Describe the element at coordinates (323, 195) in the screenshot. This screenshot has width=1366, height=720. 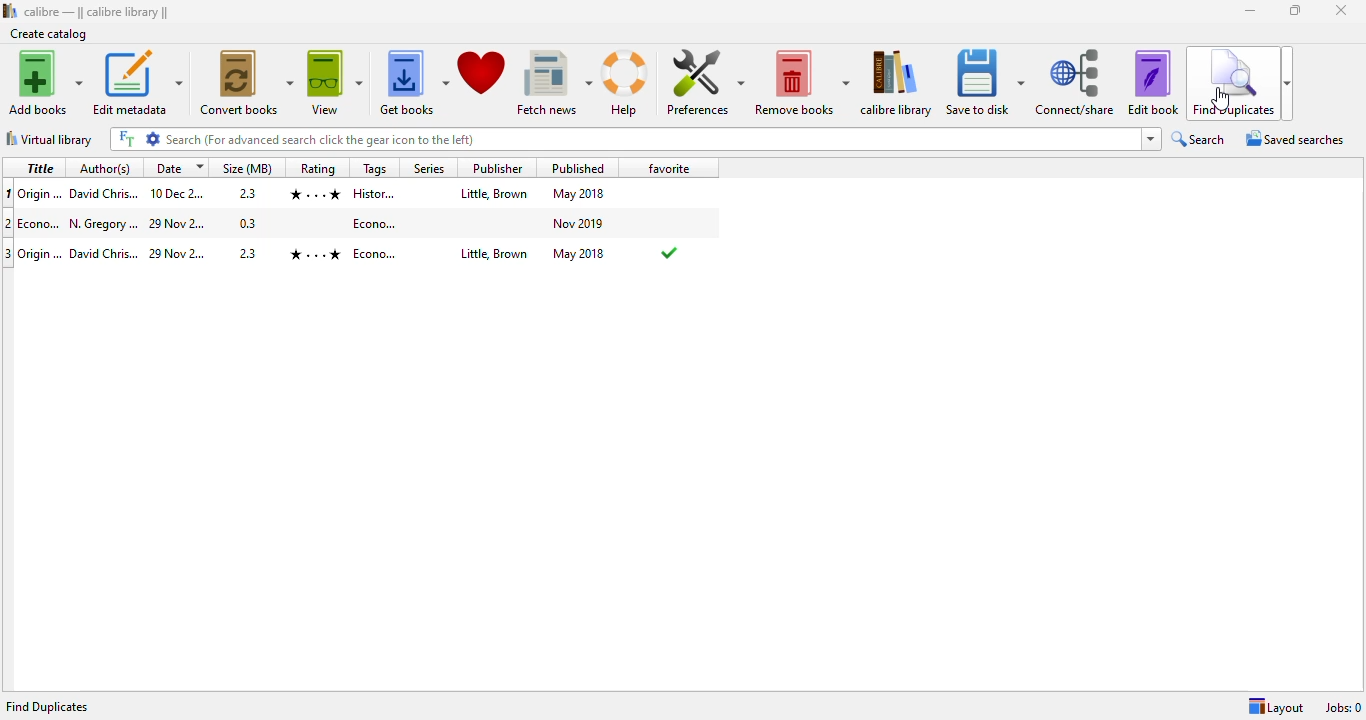
I see `Origin...David Chris...10 Dec 2...2.3 History... Little, Brown May 2018` at that location.